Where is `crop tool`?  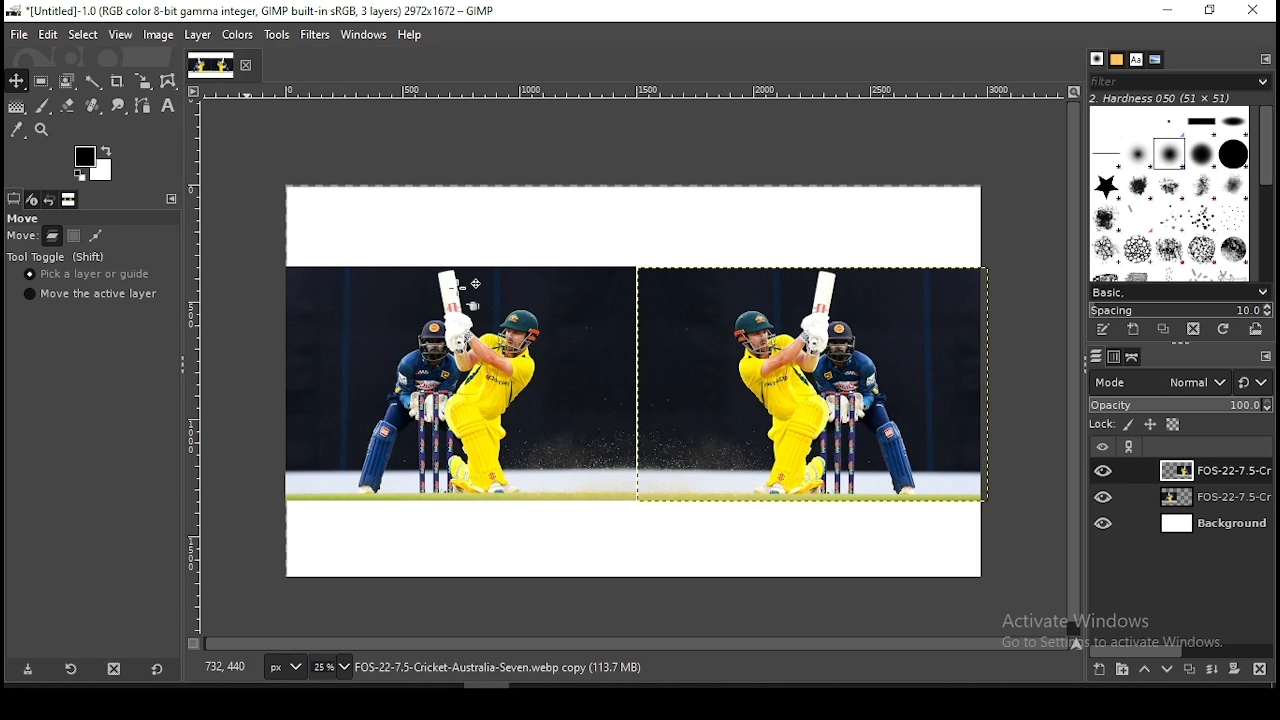
crop tool is located at coordinates (116, 80).